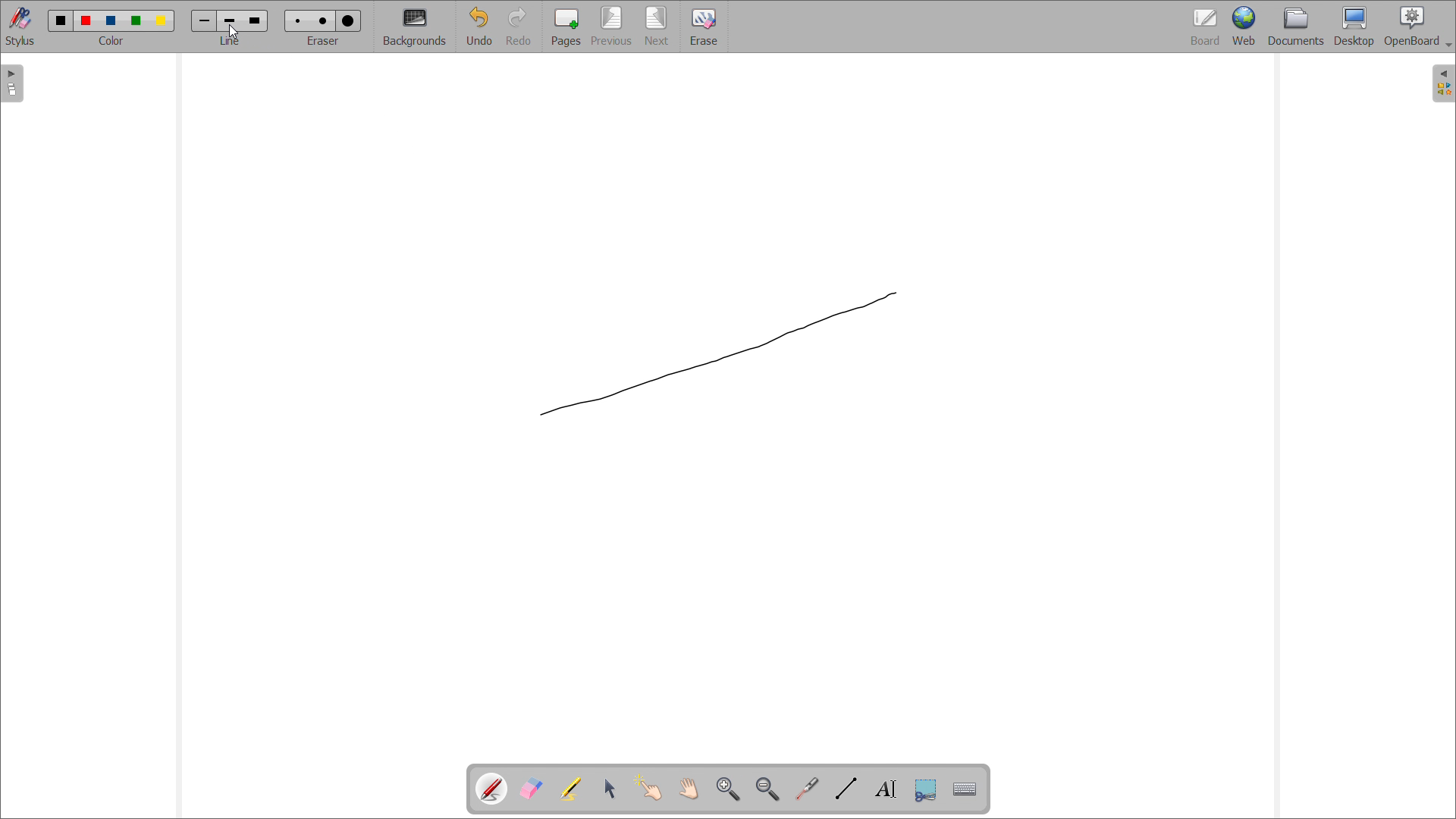  Describe the element at coordinates (255, 20) in the screenshot. I see `line width size` at that location.